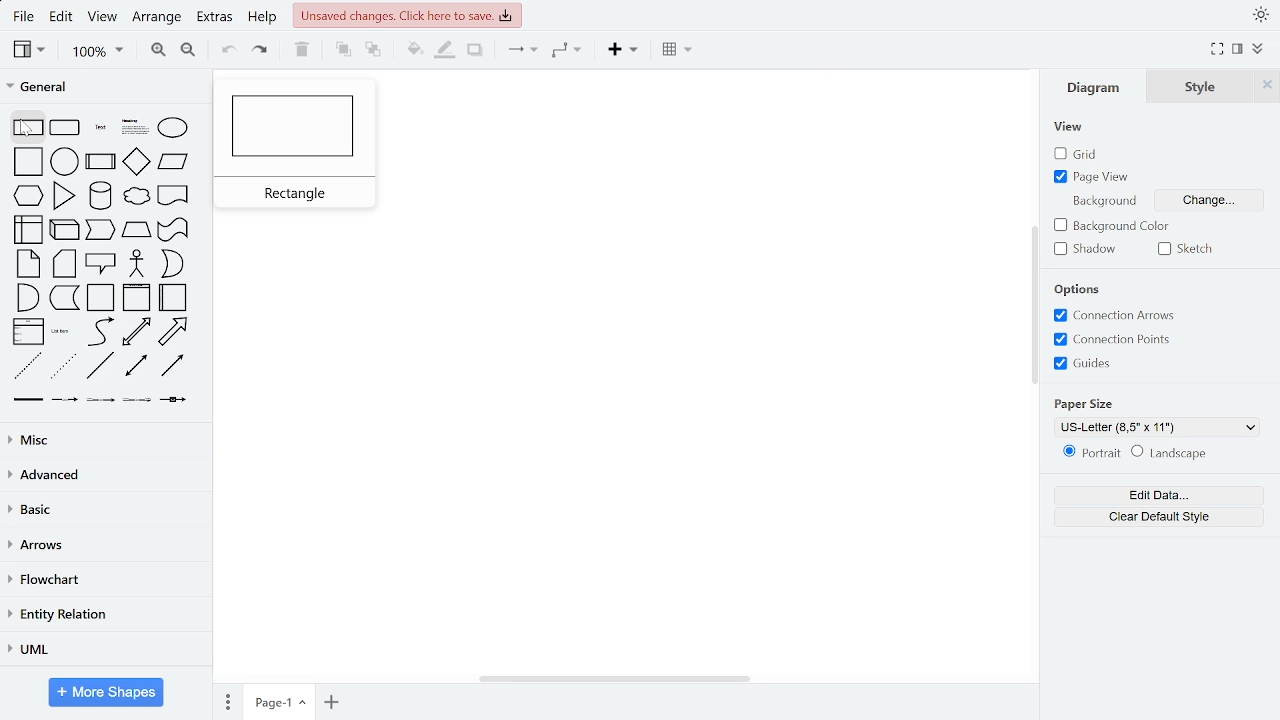 Image resolution: width=1280 pixels, height=720 pixels. I want to click on delete, so click(300, 51).